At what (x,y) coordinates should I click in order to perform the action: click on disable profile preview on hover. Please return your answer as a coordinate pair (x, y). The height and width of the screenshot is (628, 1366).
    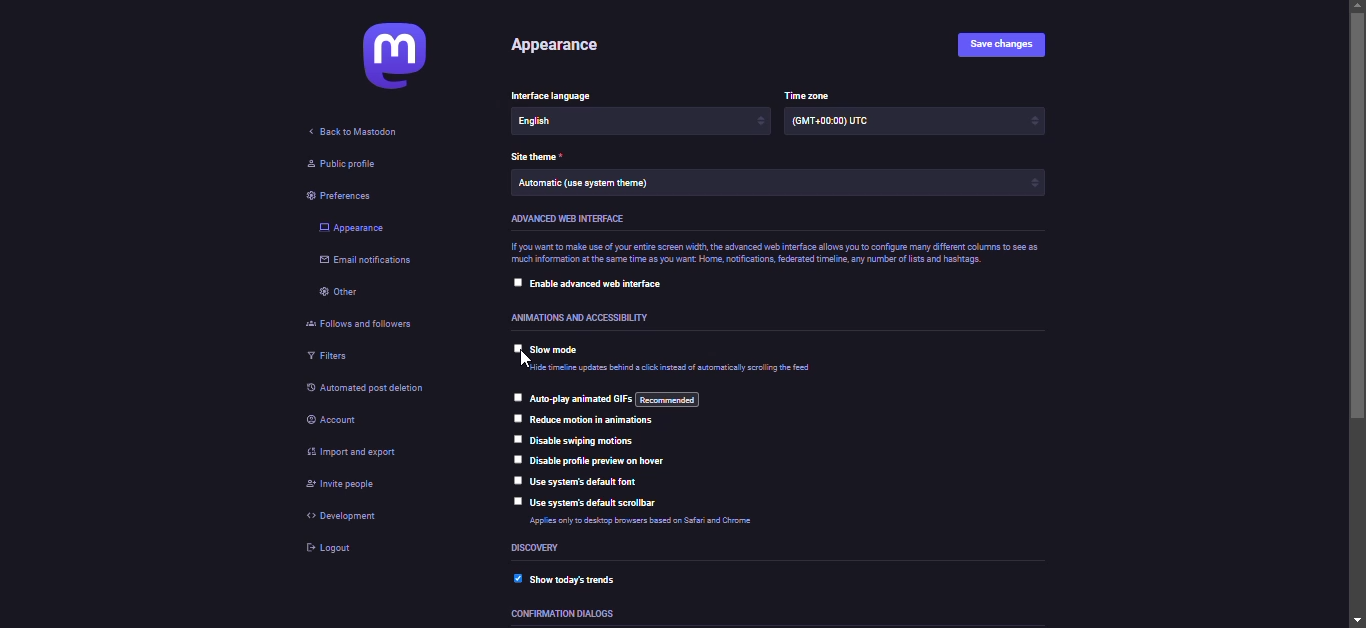
    Looking at the image, I should click on (609, 459).